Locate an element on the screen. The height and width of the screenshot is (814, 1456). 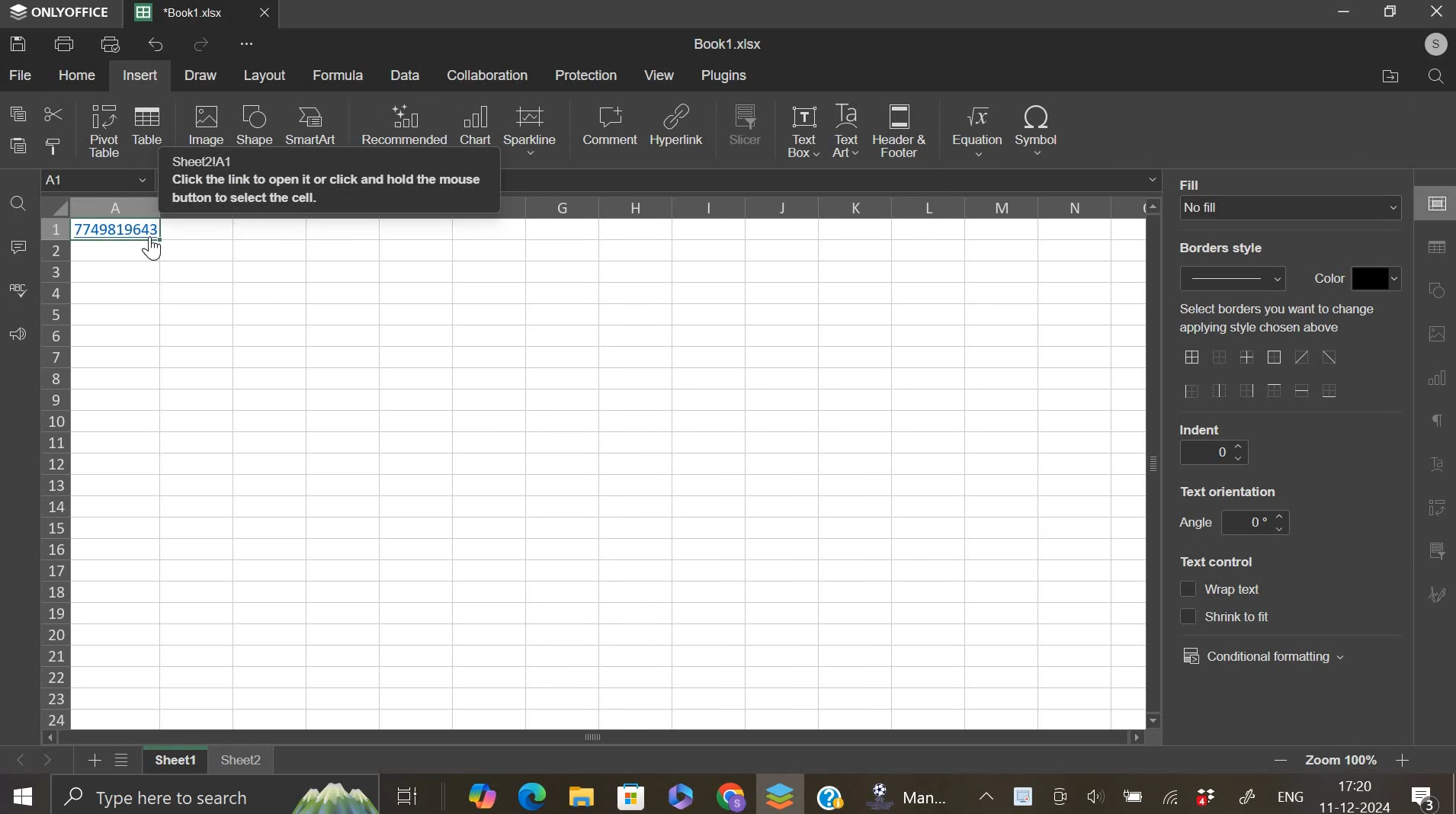
print preview is located at coordinates (111, 43).